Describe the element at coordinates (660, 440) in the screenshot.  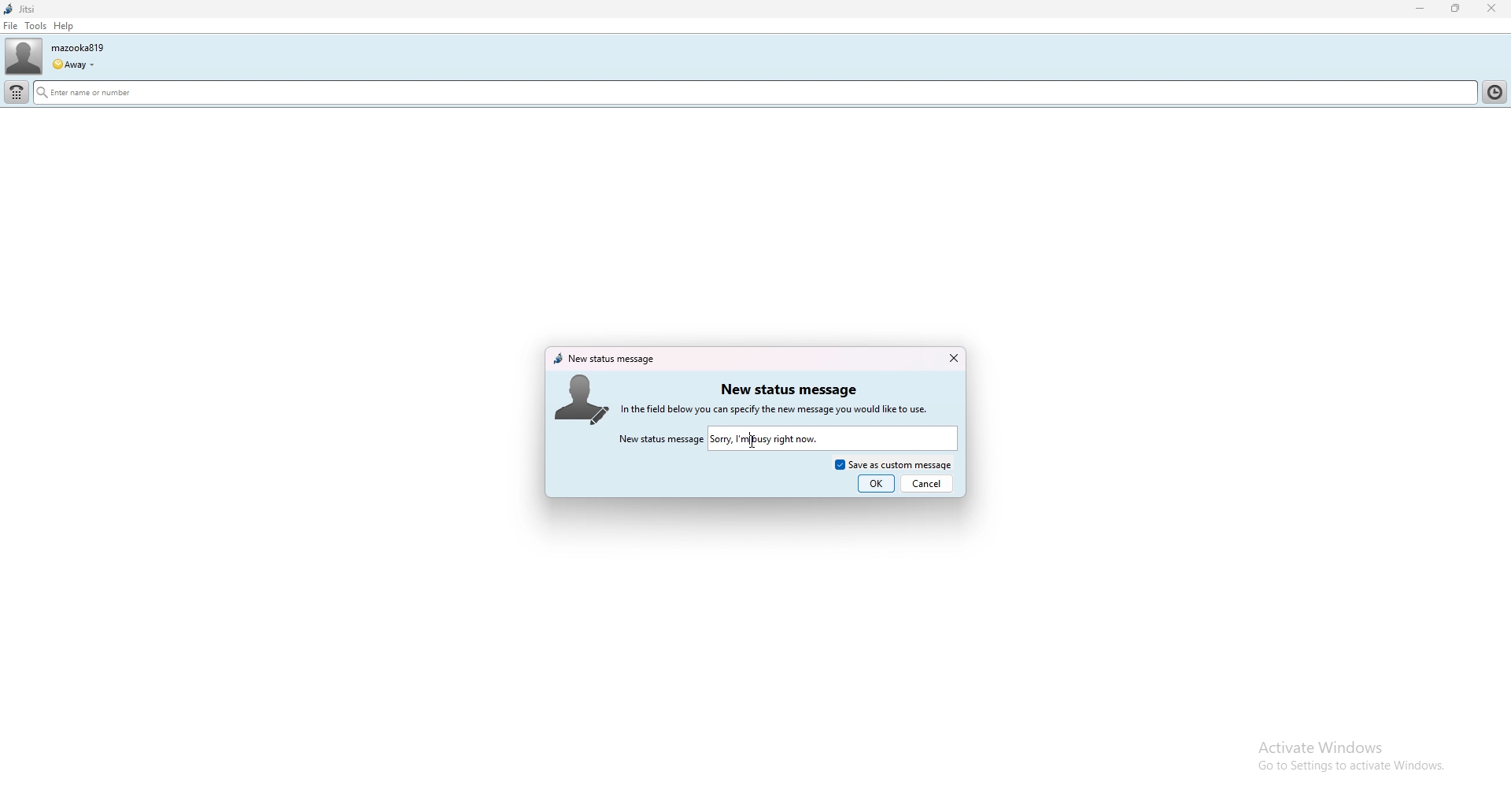
I see `new status message` at that location.